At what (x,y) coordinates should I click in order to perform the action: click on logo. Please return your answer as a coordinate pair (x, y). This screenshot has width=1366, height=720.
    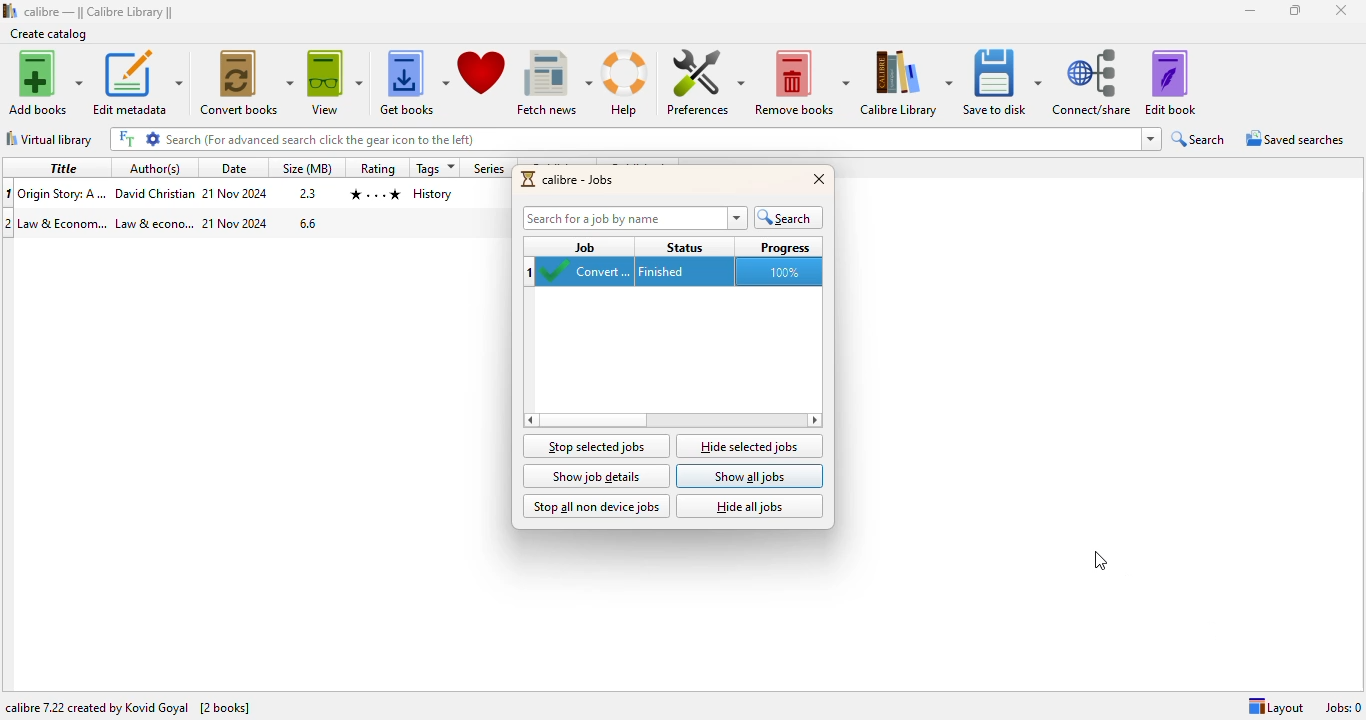
    Looking at the image, I should click on (529, 179).